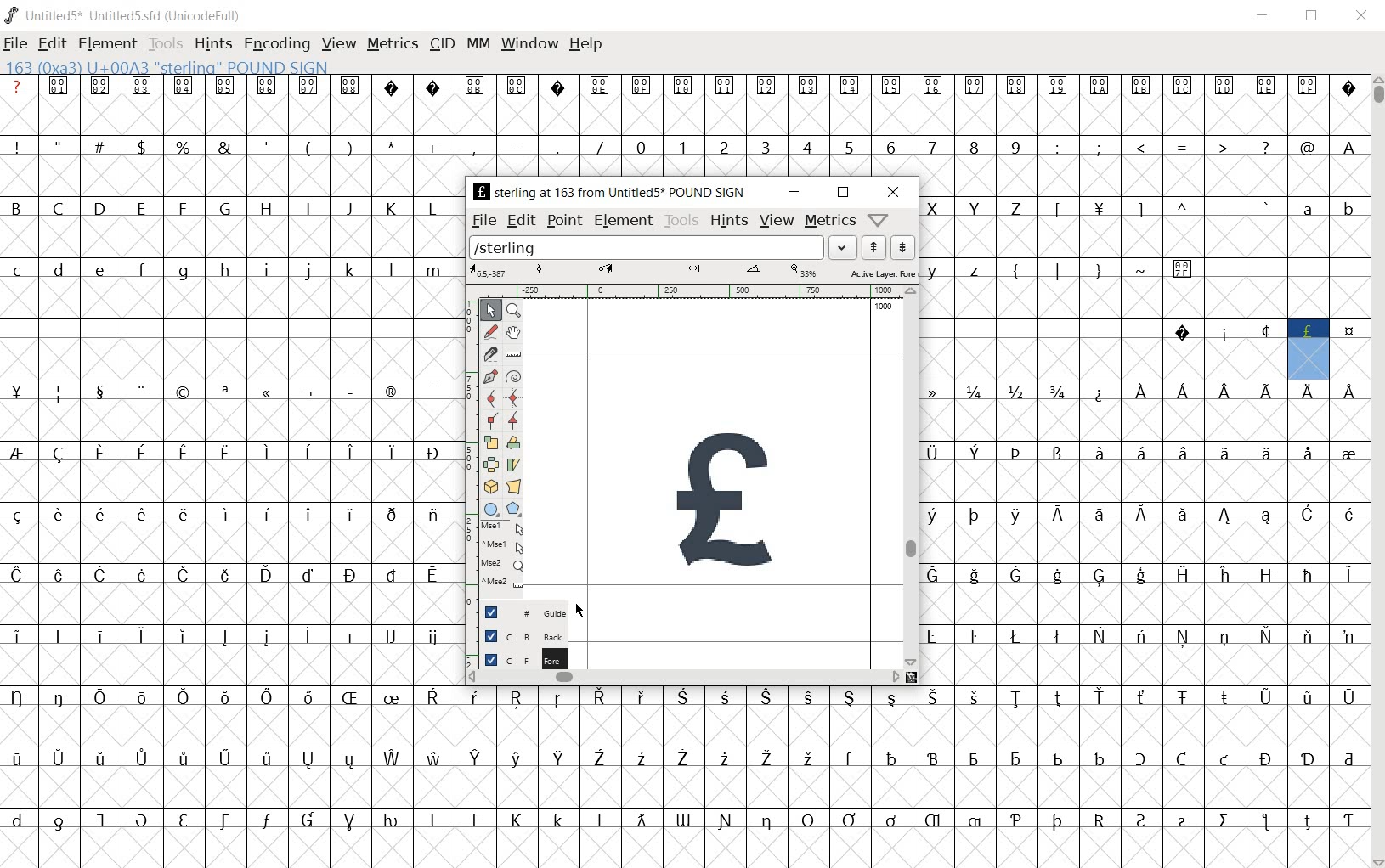 The image size is (1385, 868). I want to click on Symbol, so click(349, 515).